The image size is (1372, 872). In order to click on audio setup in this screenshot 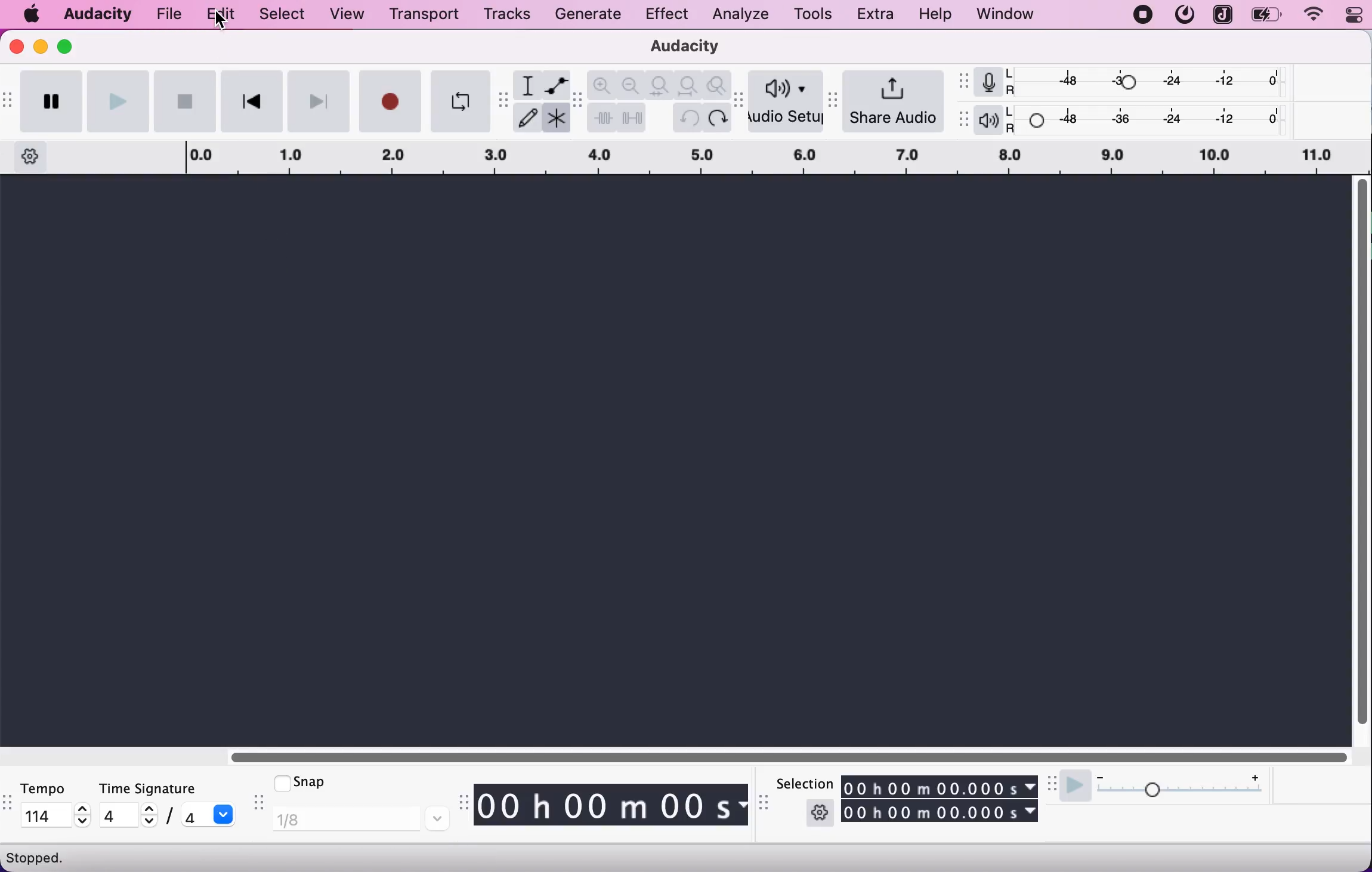, I will do `click(787, 102)`.